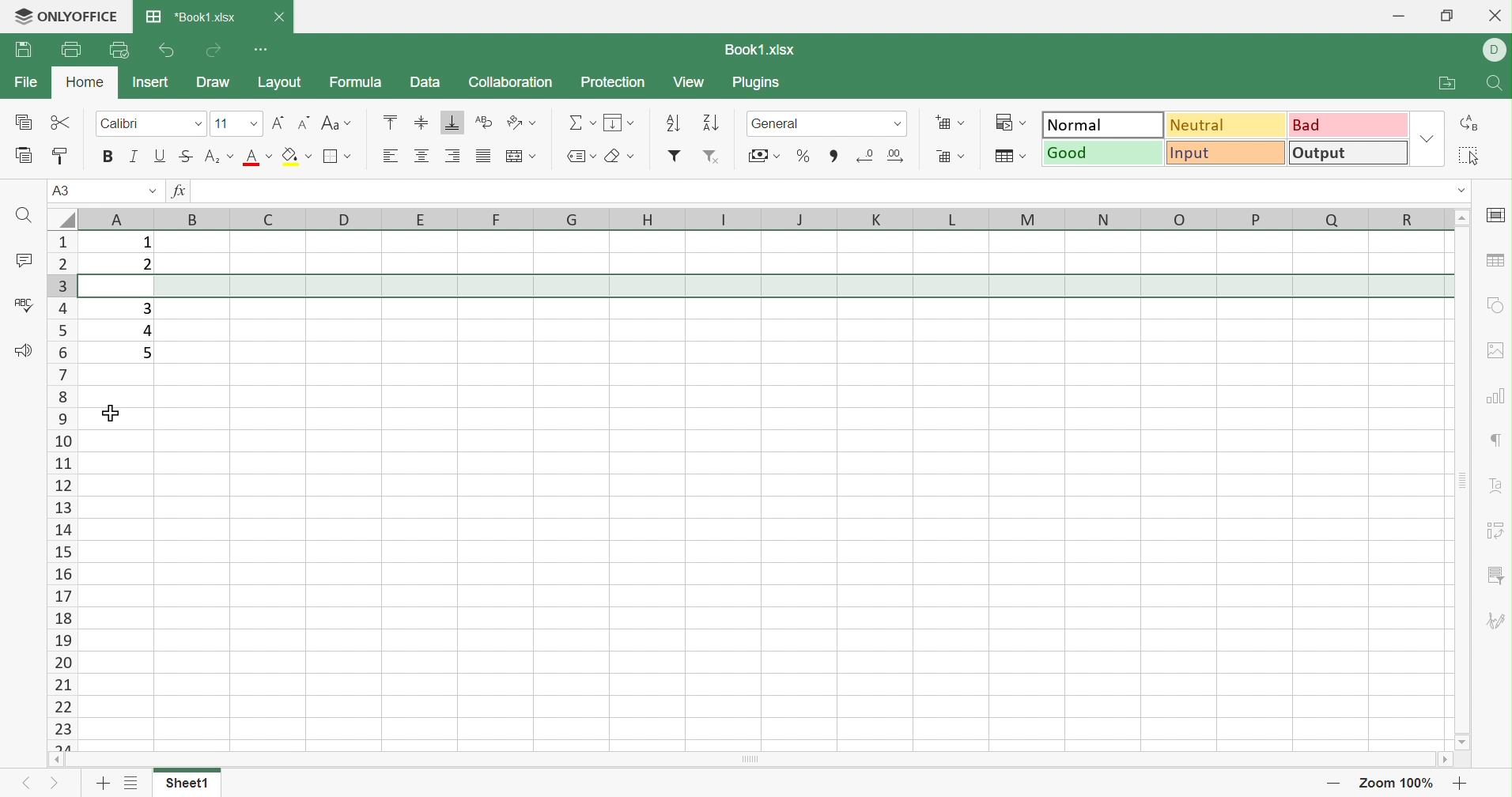  Describe the element at coordinates (963, 157) in the screenshot. I see `Drop Down` at that location.